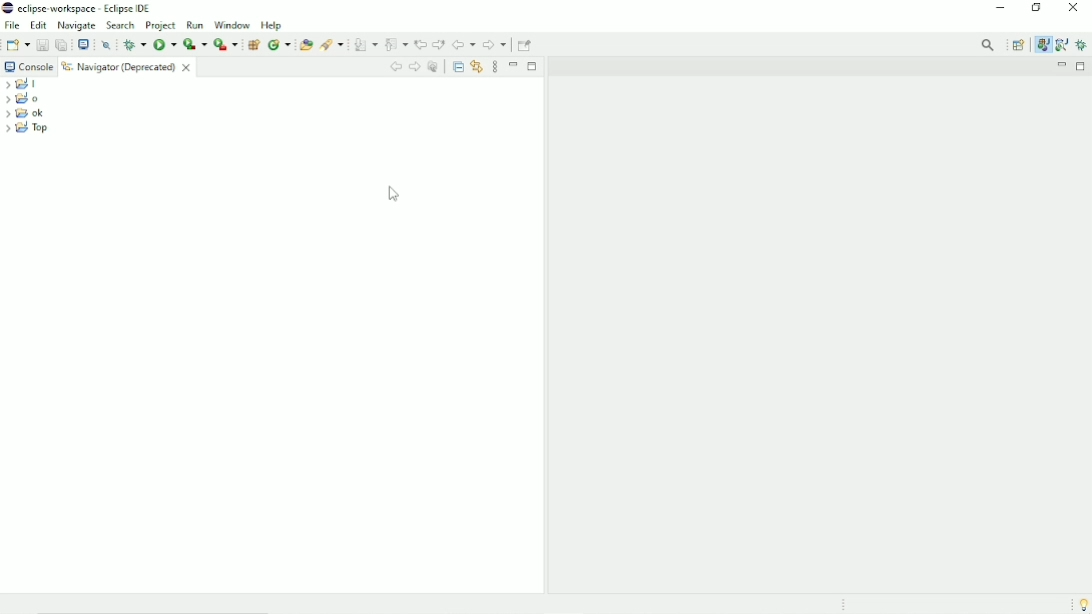 The image size is (1092, 614). I want to click on Top, so click(27, 129).